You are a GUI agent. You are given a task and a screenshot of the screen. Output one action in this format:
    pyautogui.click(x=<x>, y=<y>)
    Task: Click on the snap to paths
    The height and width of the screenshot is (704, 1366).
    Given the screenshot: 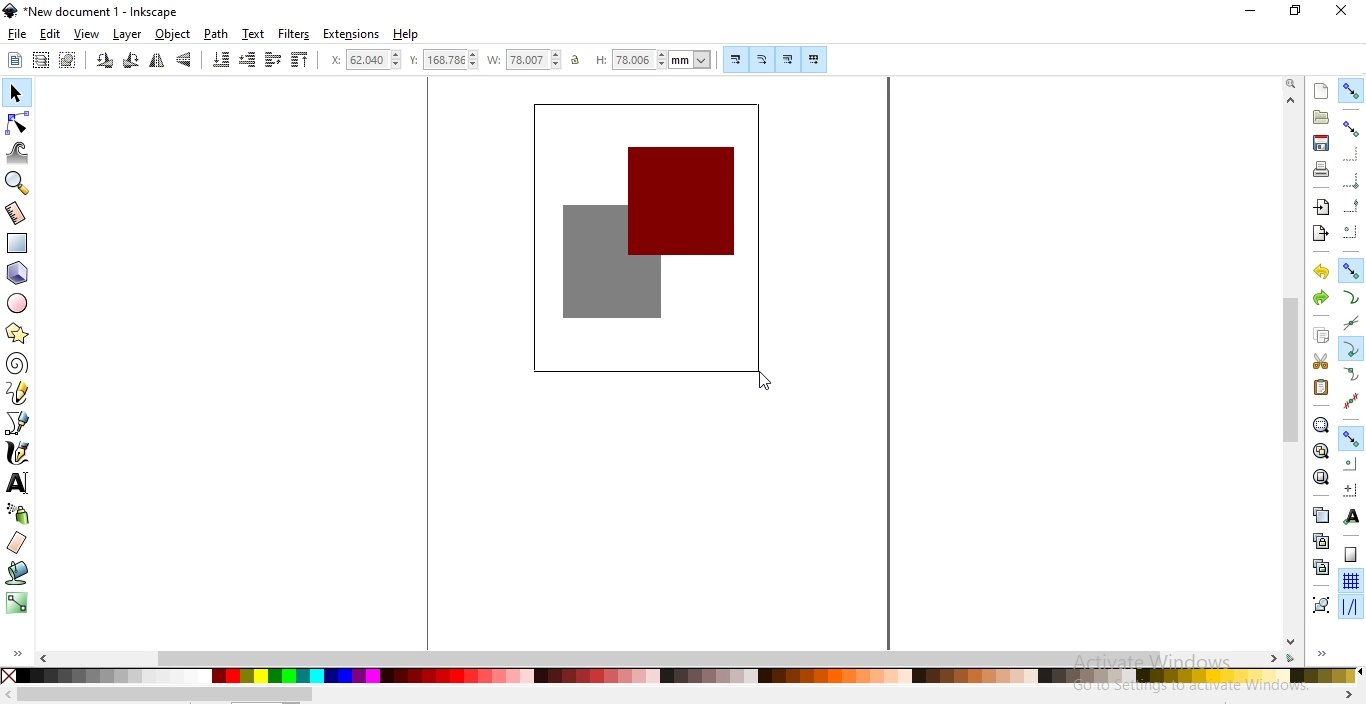 What is the action you would take?
    pyautogui.click(x=1351, y=298)
    